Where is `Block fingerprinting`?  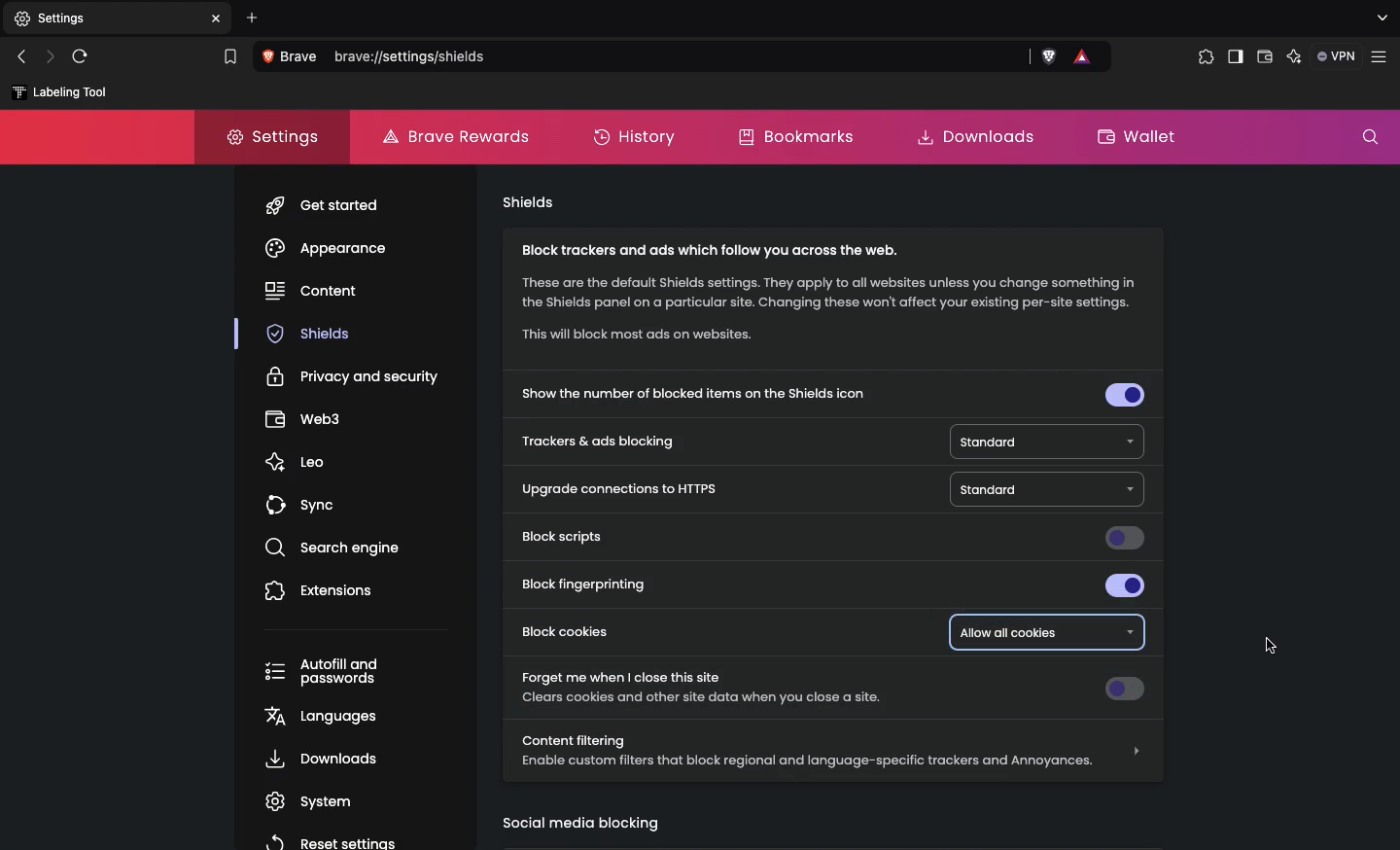 Block fingerprinting is located at coordinates (834, 584).